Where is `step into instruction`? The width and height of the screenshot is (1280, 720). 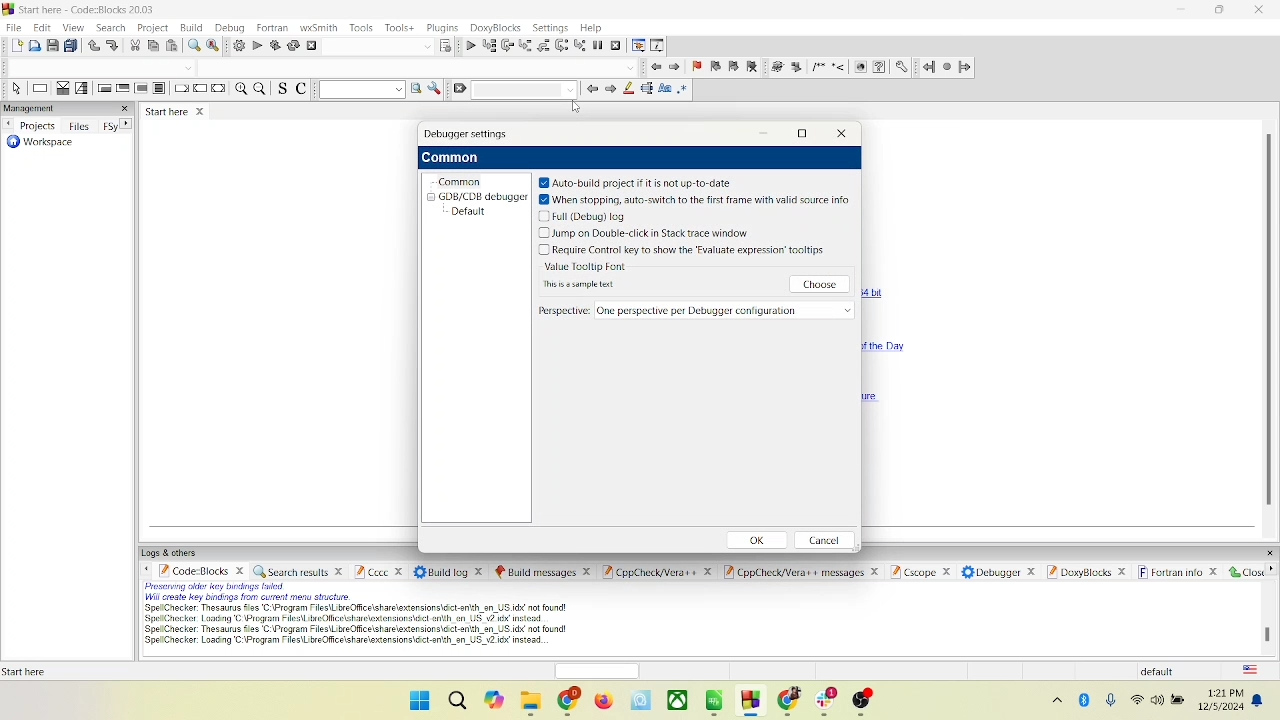
step into instruction is located at coordinates (581, 45).